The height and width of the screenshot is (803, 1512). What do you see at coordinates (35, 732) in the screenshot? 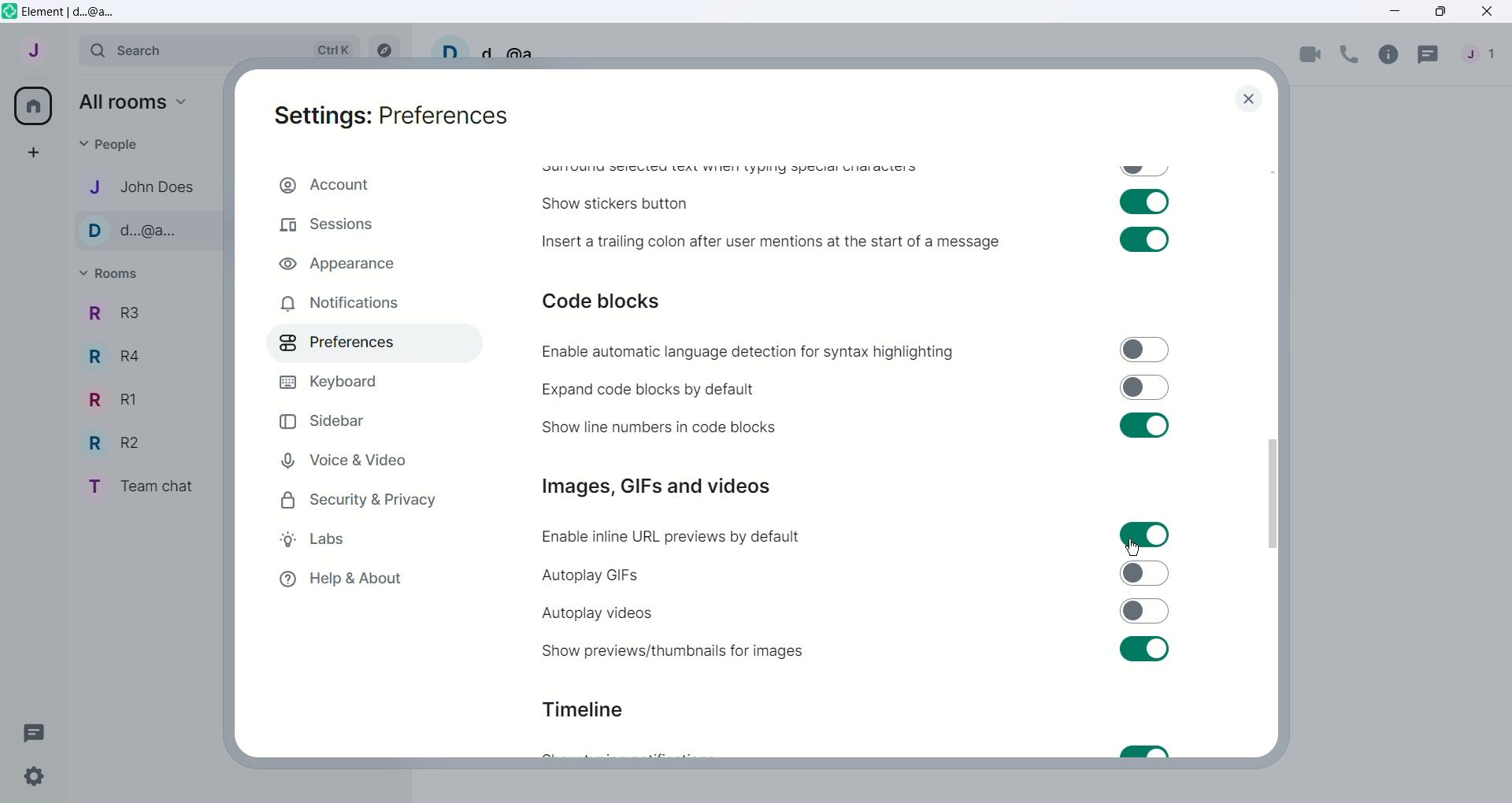
I see `Threads` at bounding box center [35, 732].